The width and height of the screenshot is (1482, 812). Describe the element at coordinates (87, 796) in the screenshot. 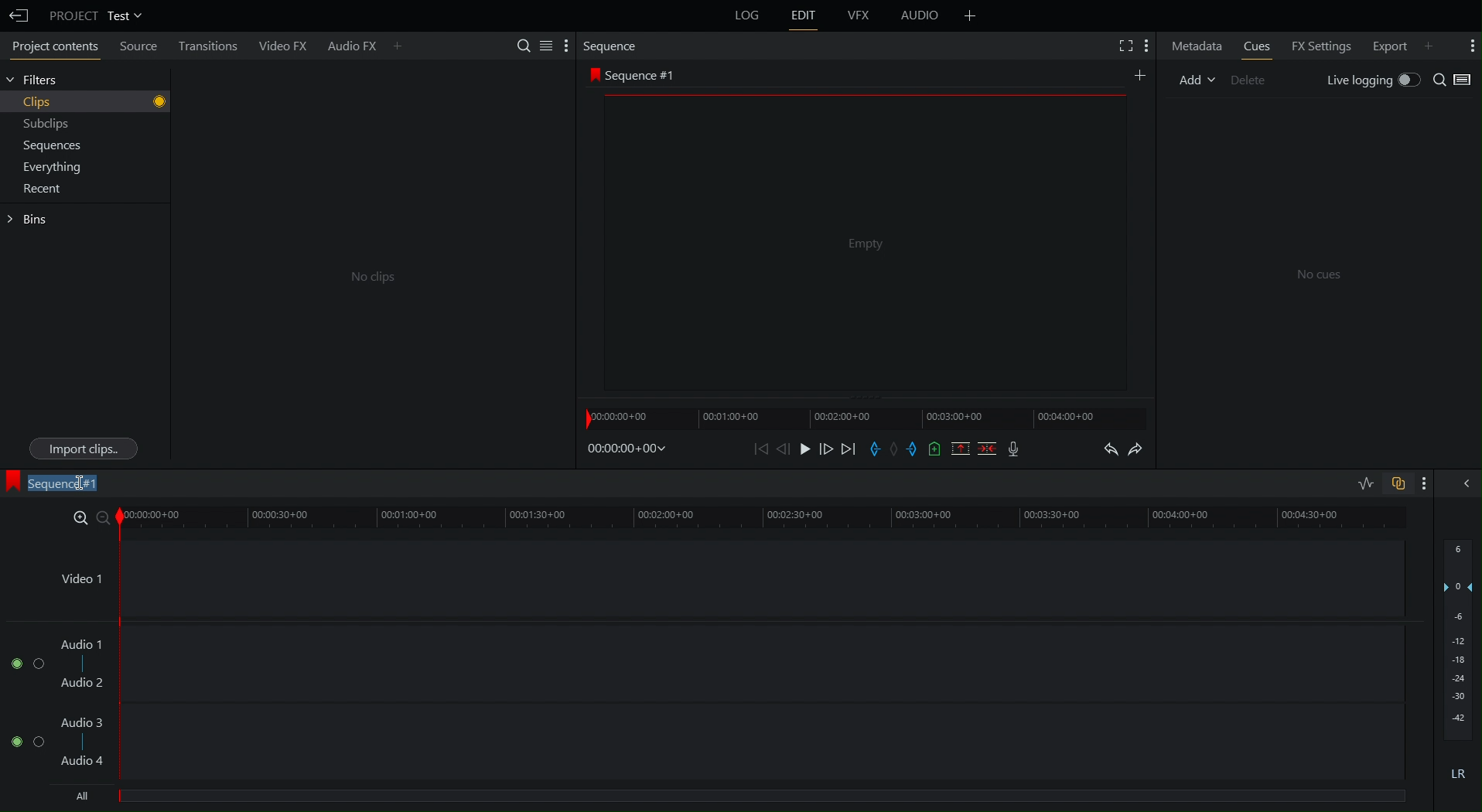

I see `All` at that location.